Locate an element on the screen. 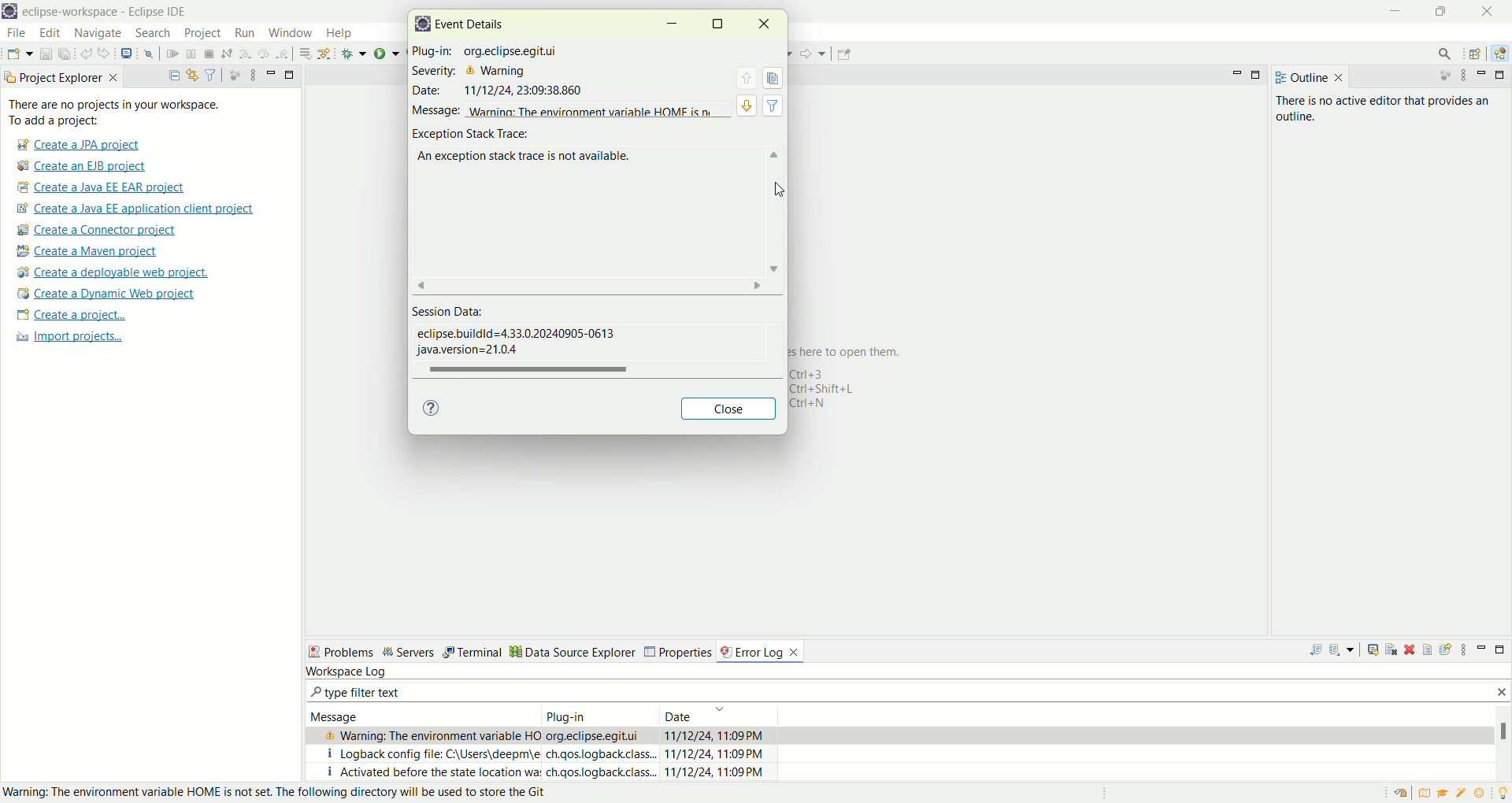 This screenshot has height=803, width=1512. minimize is located at coordinates (1479, 650).